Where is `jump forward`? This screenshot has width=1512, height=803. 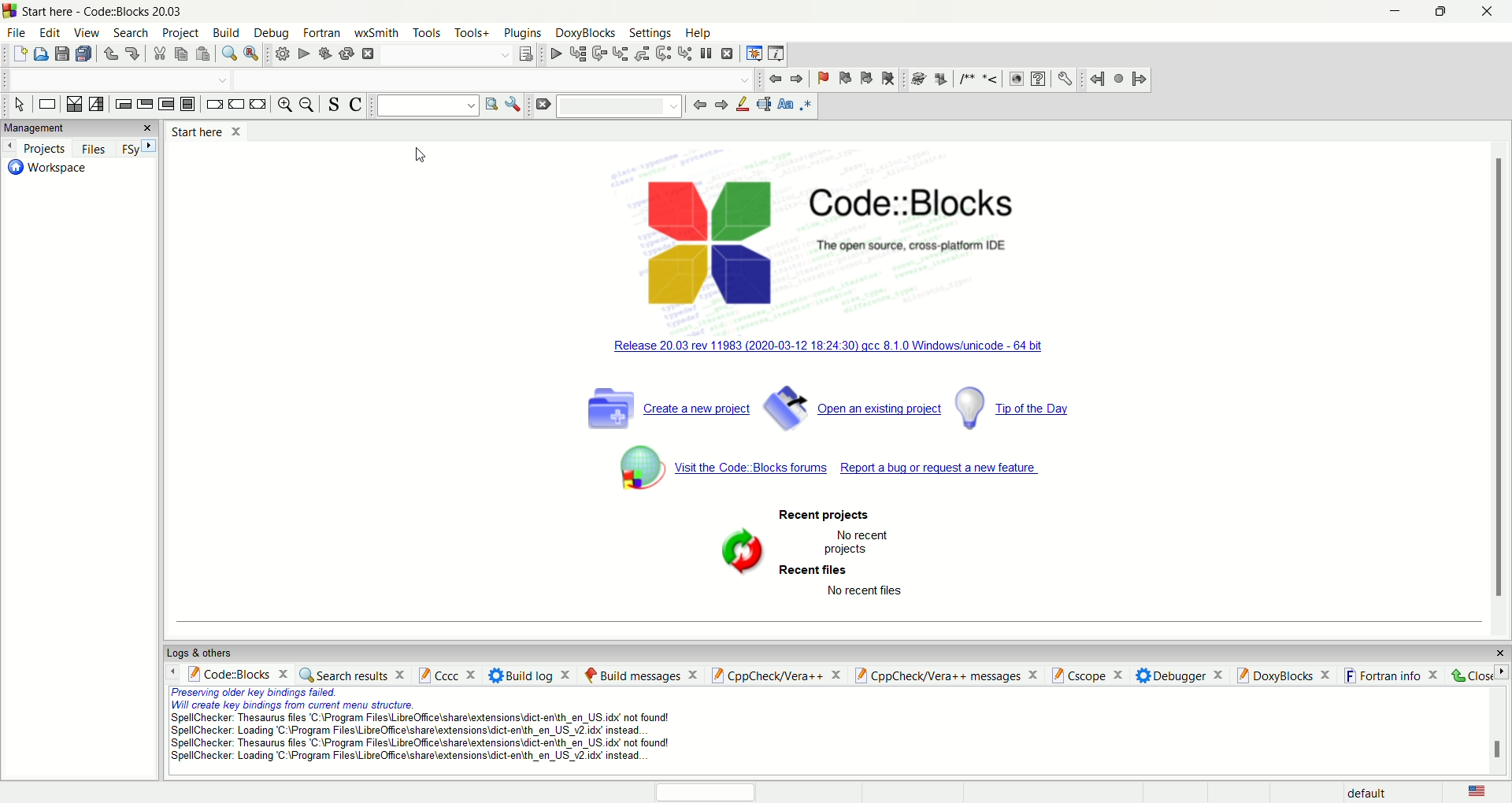
jump forward is located at coordinates (1142, 79).